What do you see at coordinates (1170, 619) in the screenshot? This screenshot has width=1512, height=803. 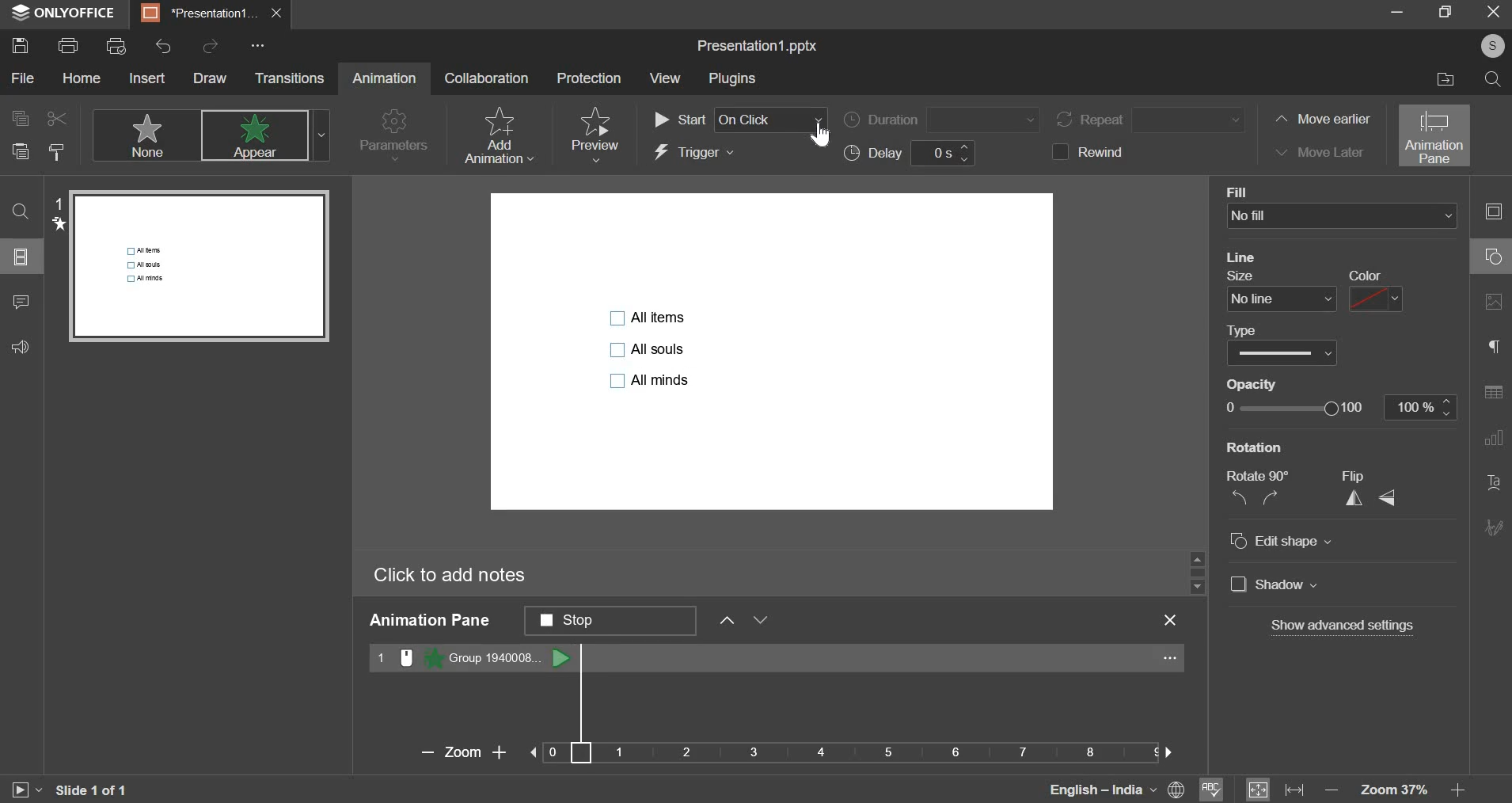 I see `exit` at bounding box center [1170, 619].